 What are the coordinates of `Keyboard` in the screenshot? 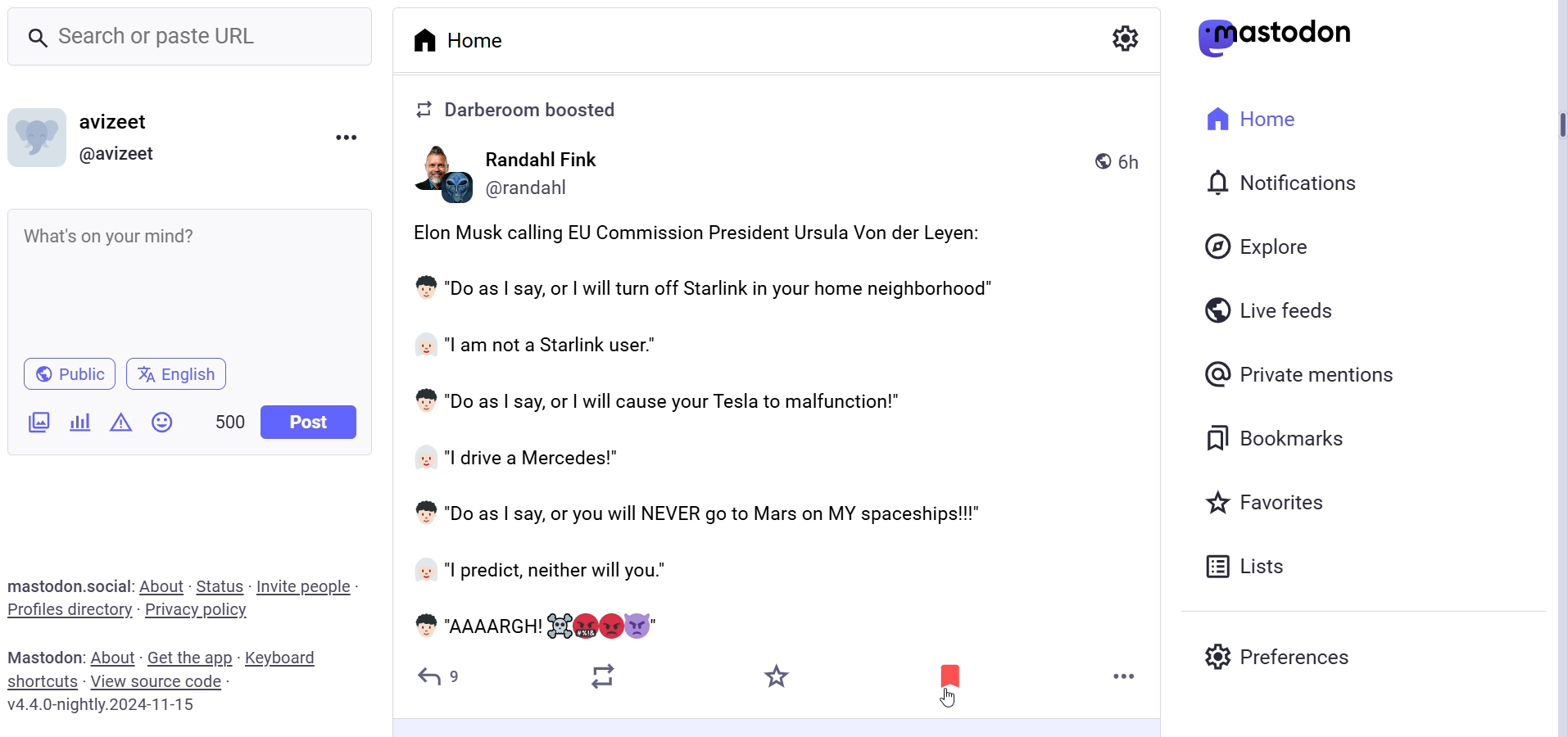 It's located at (283, 658).